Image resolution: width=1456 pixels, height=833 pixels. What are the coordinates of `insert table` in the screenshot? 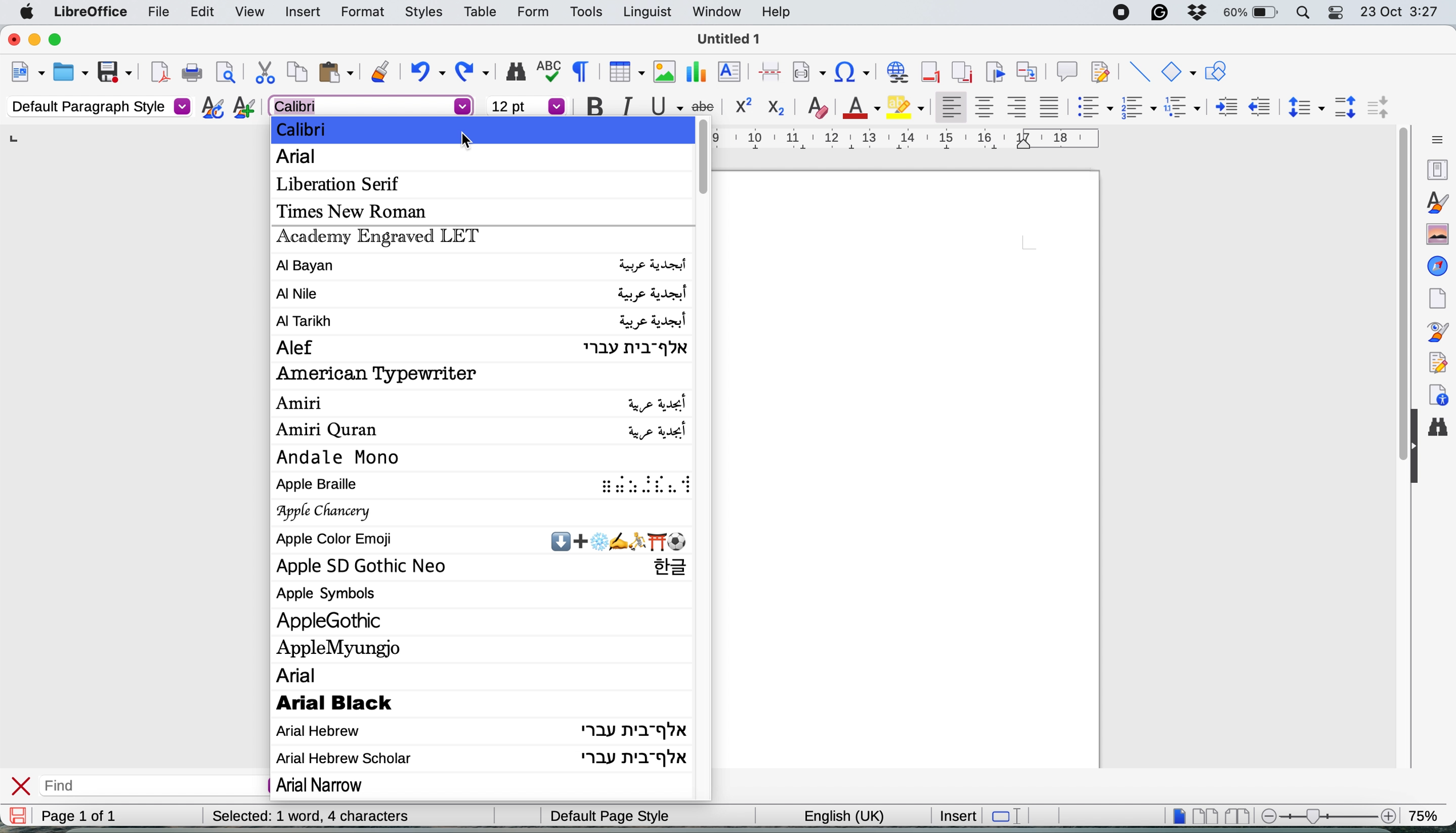 It's located at (624, 73).